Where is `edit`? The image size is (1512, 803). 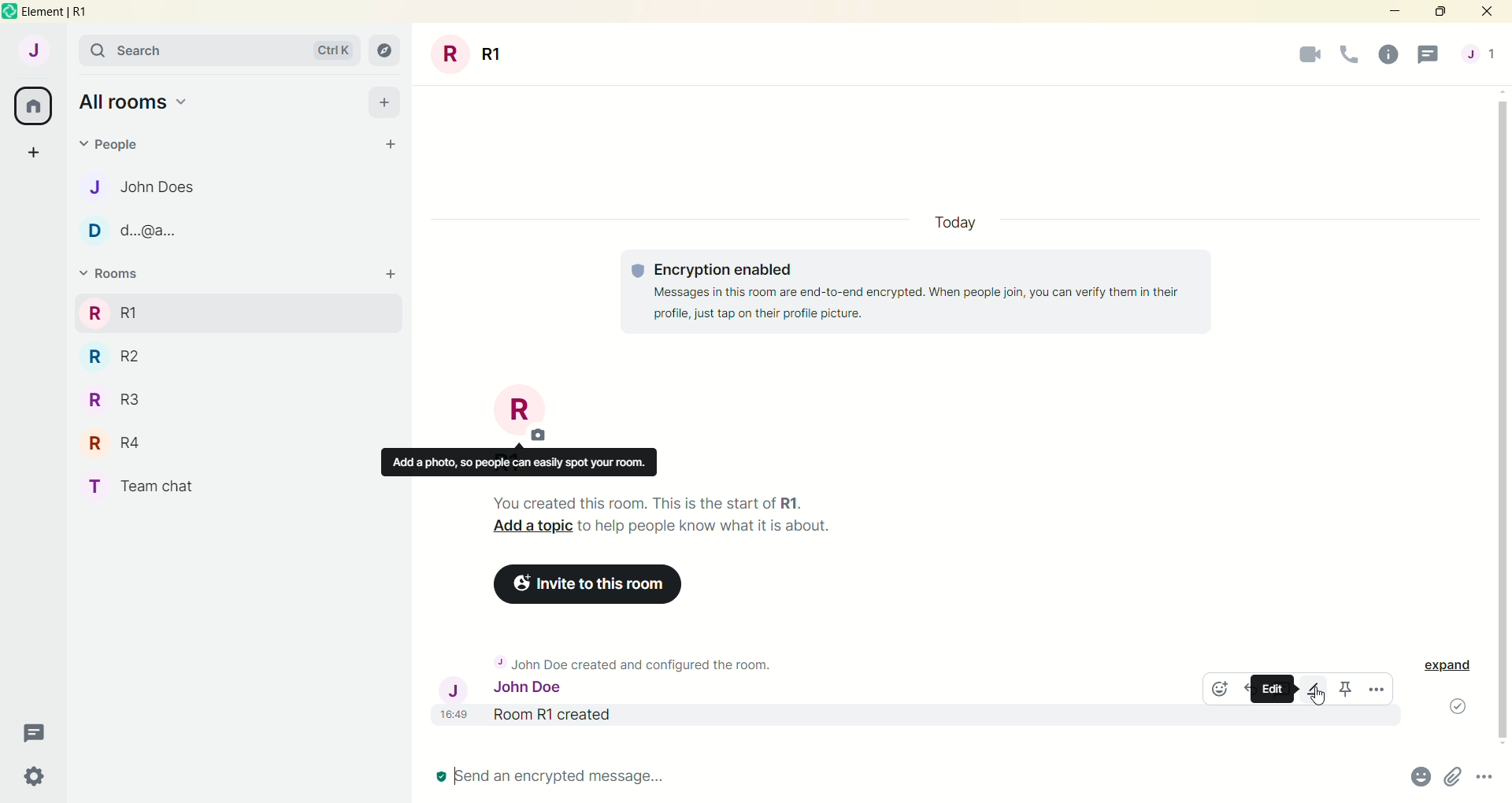
edit is located at coordinates (1313, 690).